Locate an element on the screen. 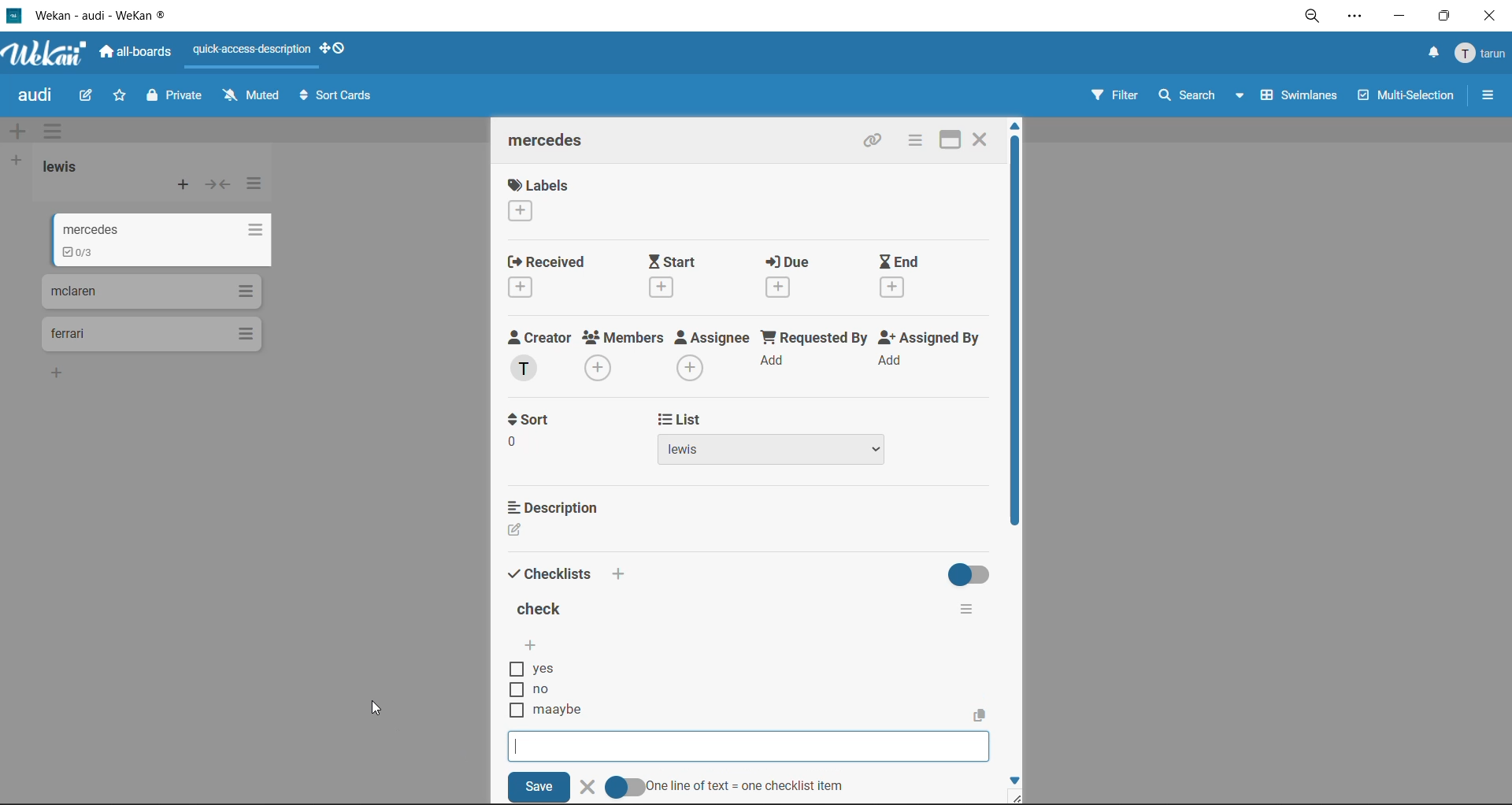 Image resolution: width=1512 pixels, height=805 pixels. close is located at coordinates (984, 143).